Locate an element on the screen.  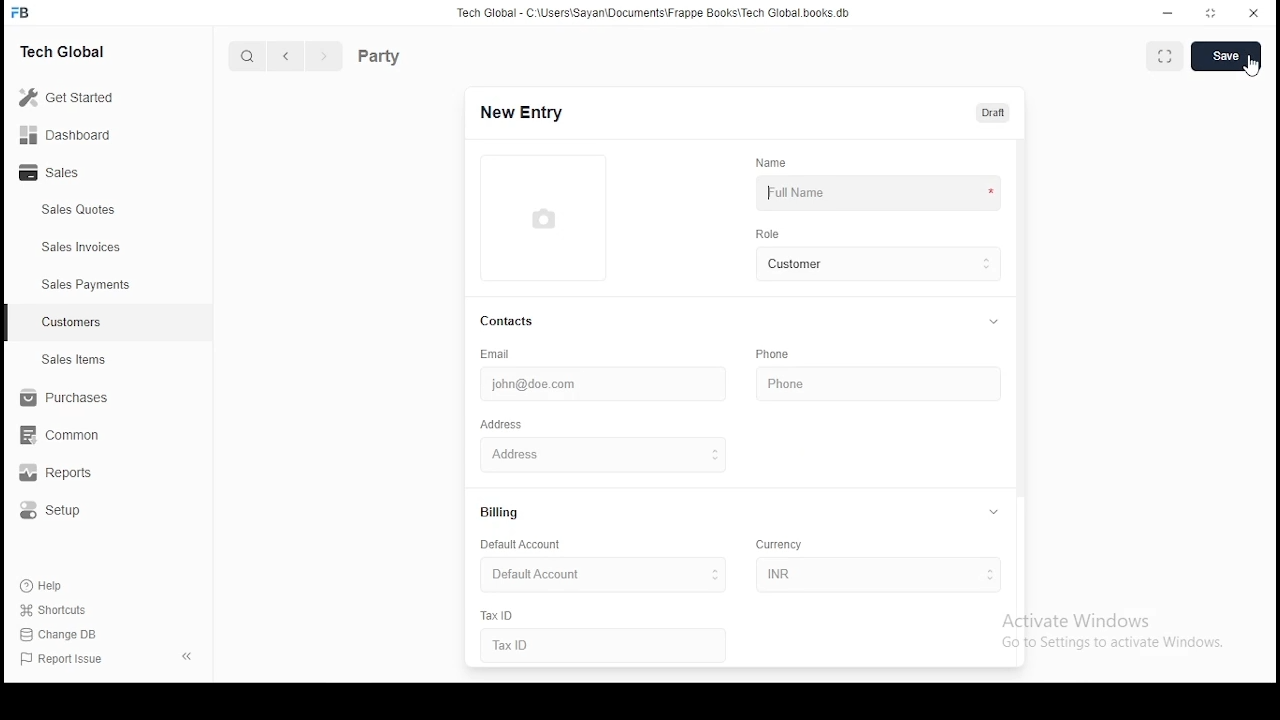
collapse is located at coordinates (995, 321).